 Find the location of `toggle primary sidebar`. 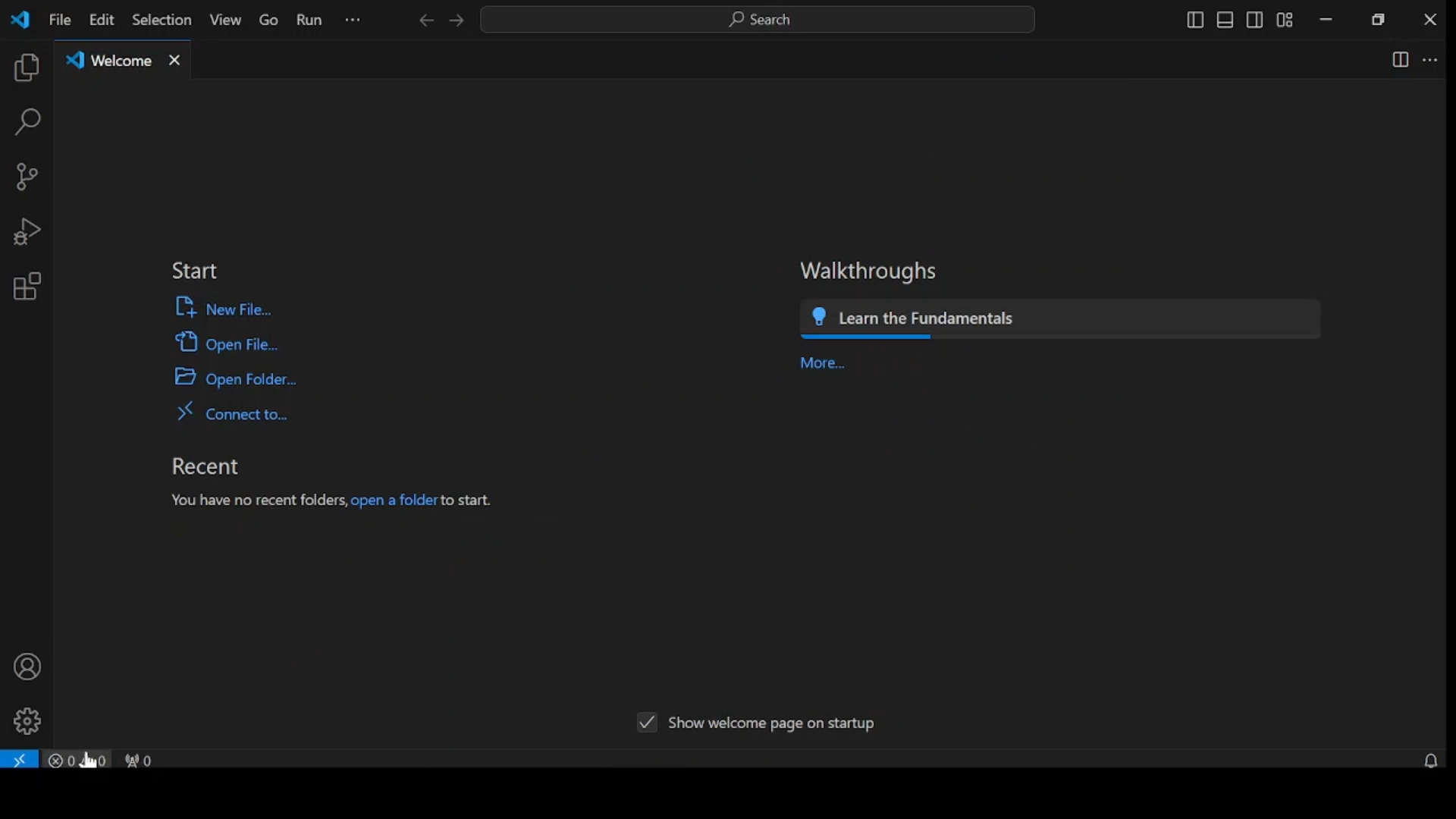

toggle primary sidebar is located at coordinates (1194, 19).